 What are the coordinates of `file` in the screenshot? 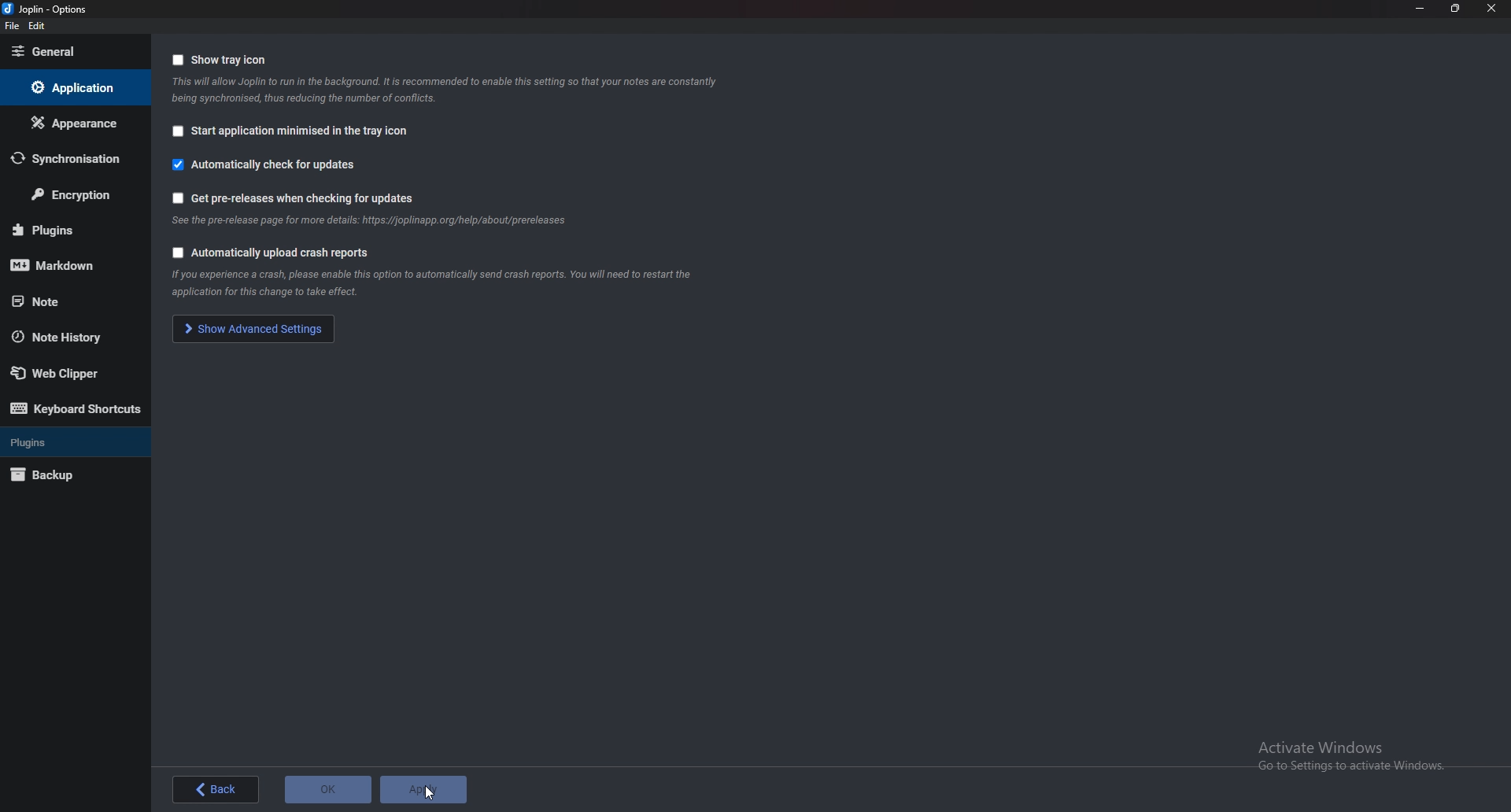 It's located at (12, 28).